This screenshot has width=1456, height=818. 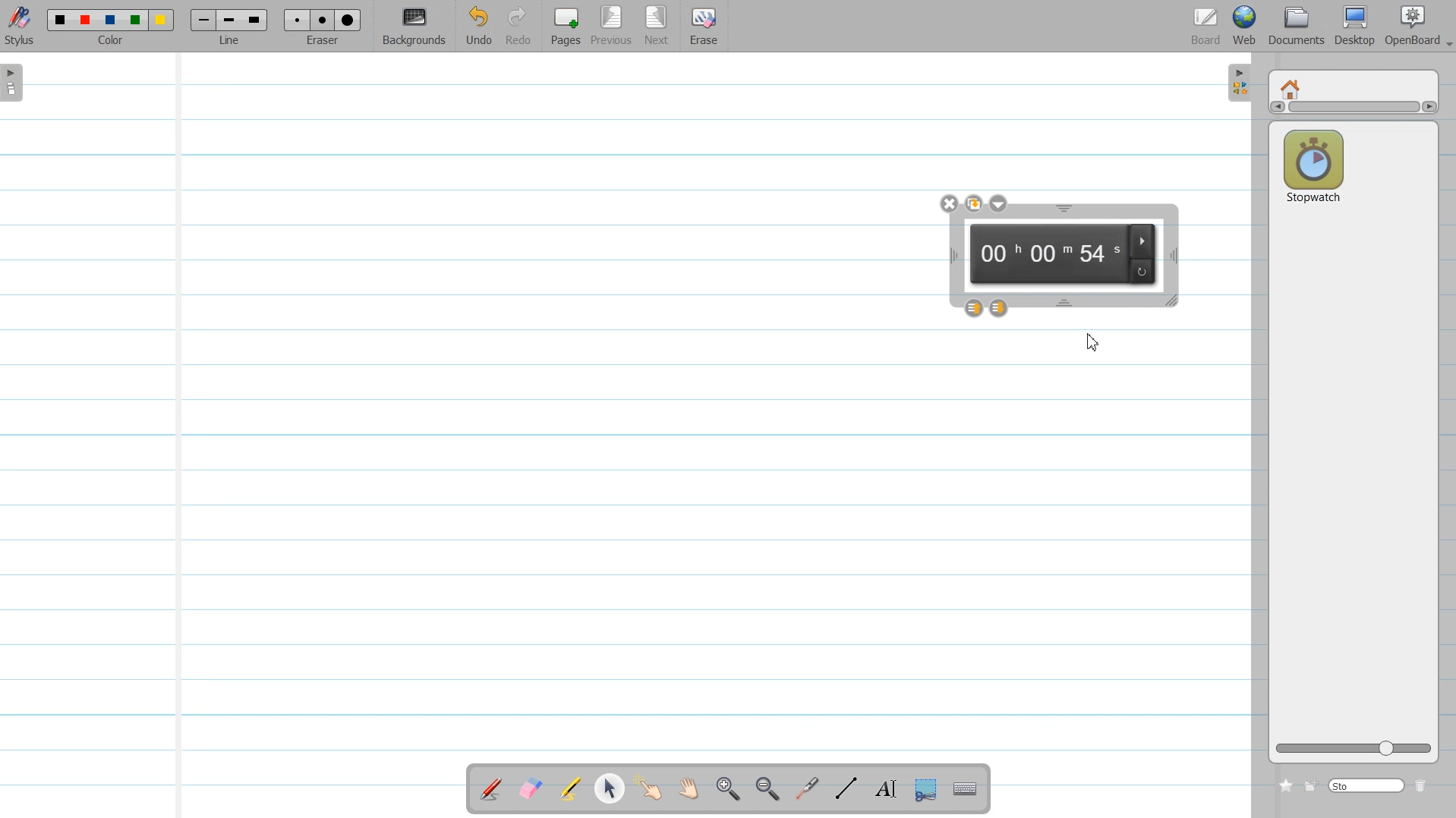 I want to click on Layer down, so click(x=1000, y=307).